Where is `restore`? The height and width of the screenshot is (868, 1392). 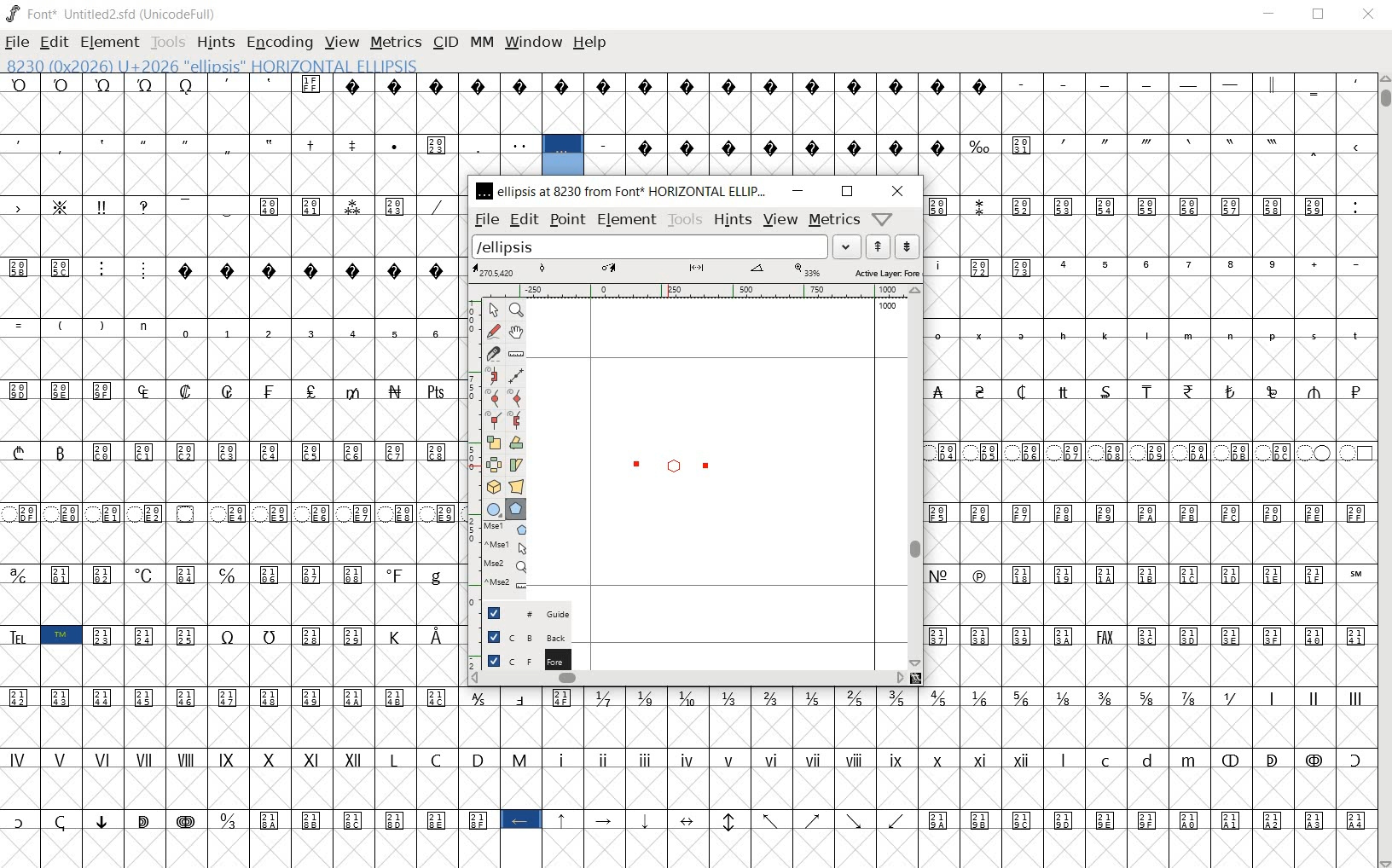 restore is located at coordinates (848, 192).